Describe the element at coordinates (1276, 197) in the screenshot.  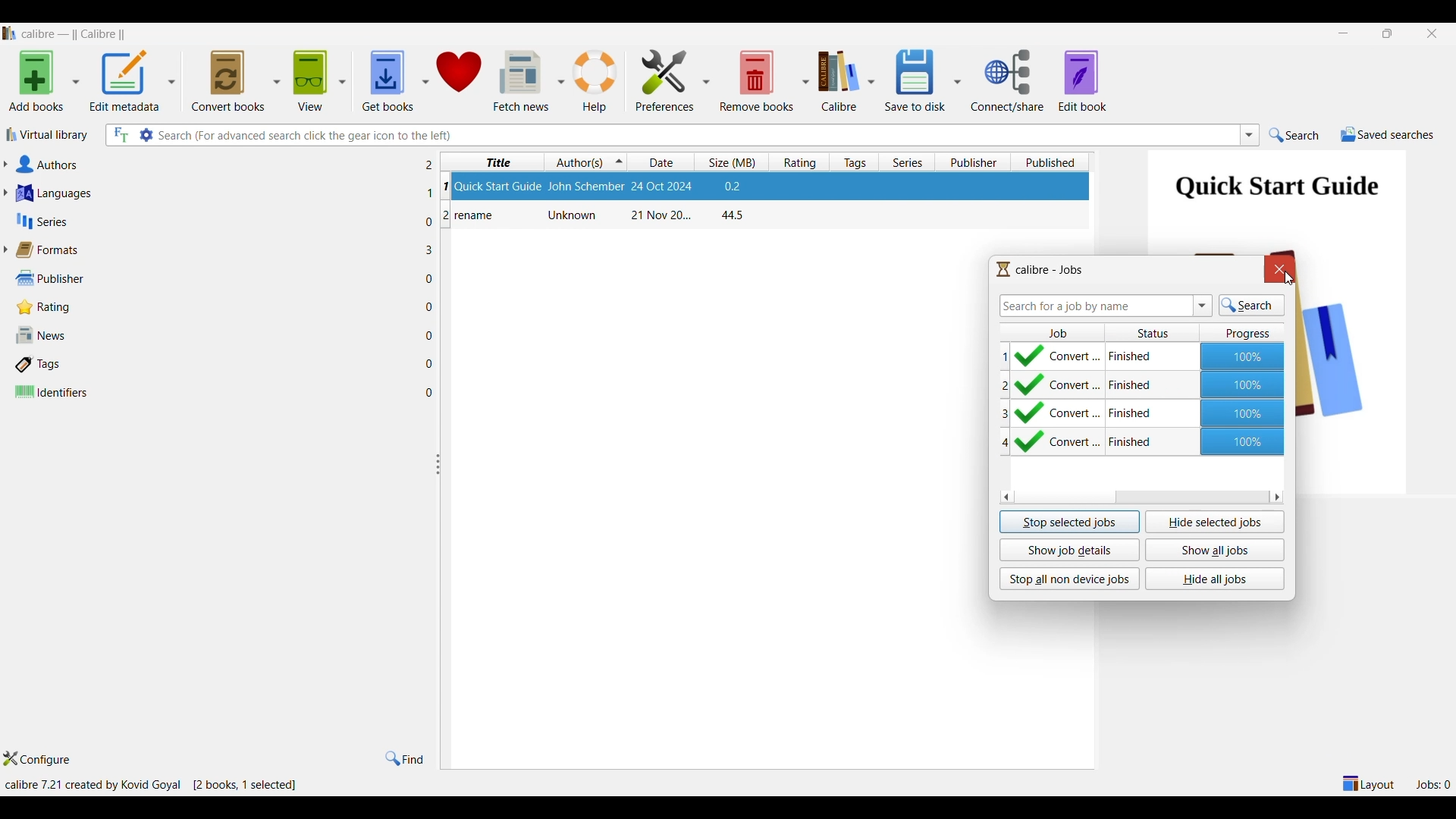
I see `Preview of selected file` at that location.